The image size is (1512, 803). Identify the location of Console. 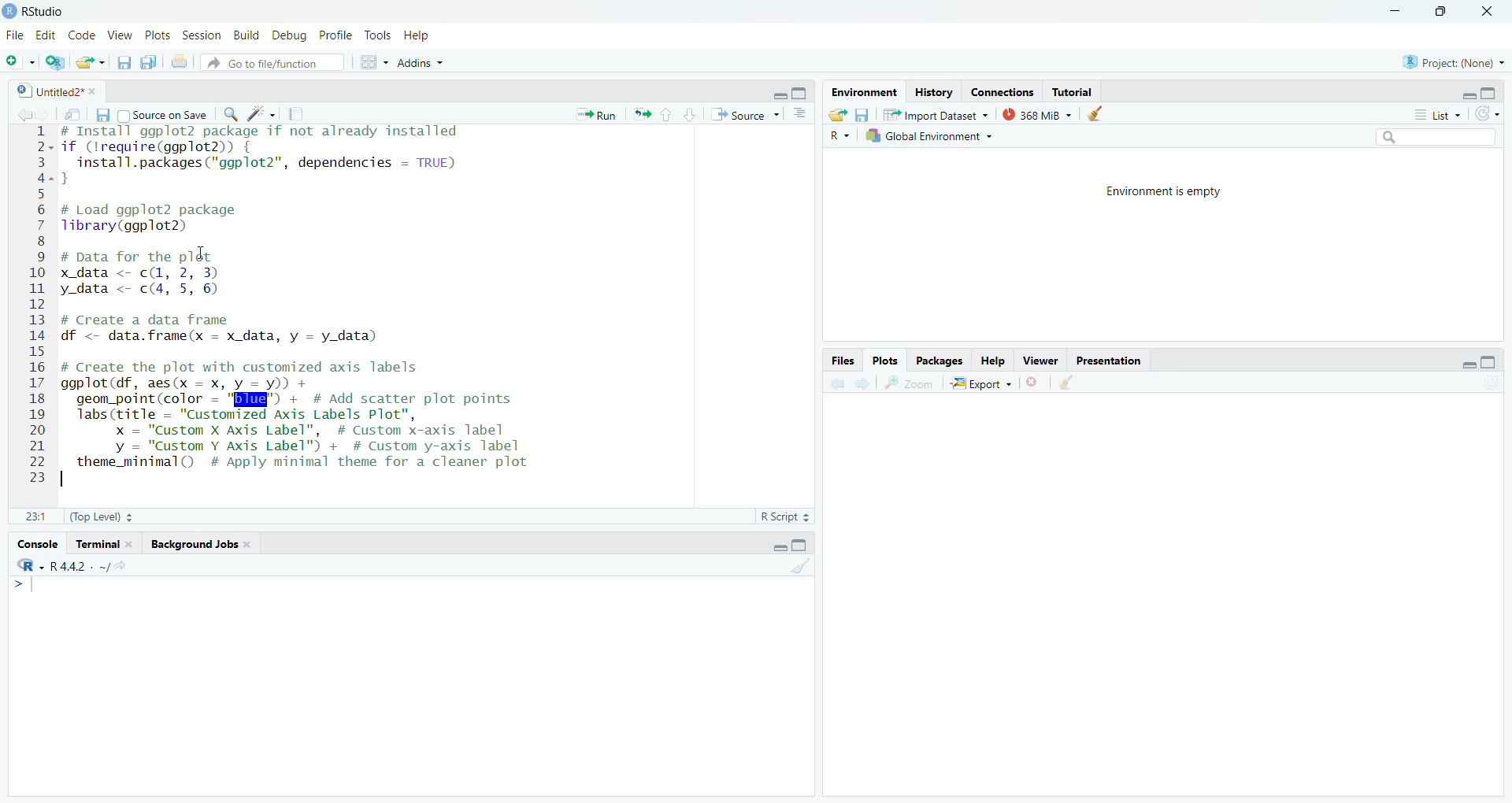
(35, 542).